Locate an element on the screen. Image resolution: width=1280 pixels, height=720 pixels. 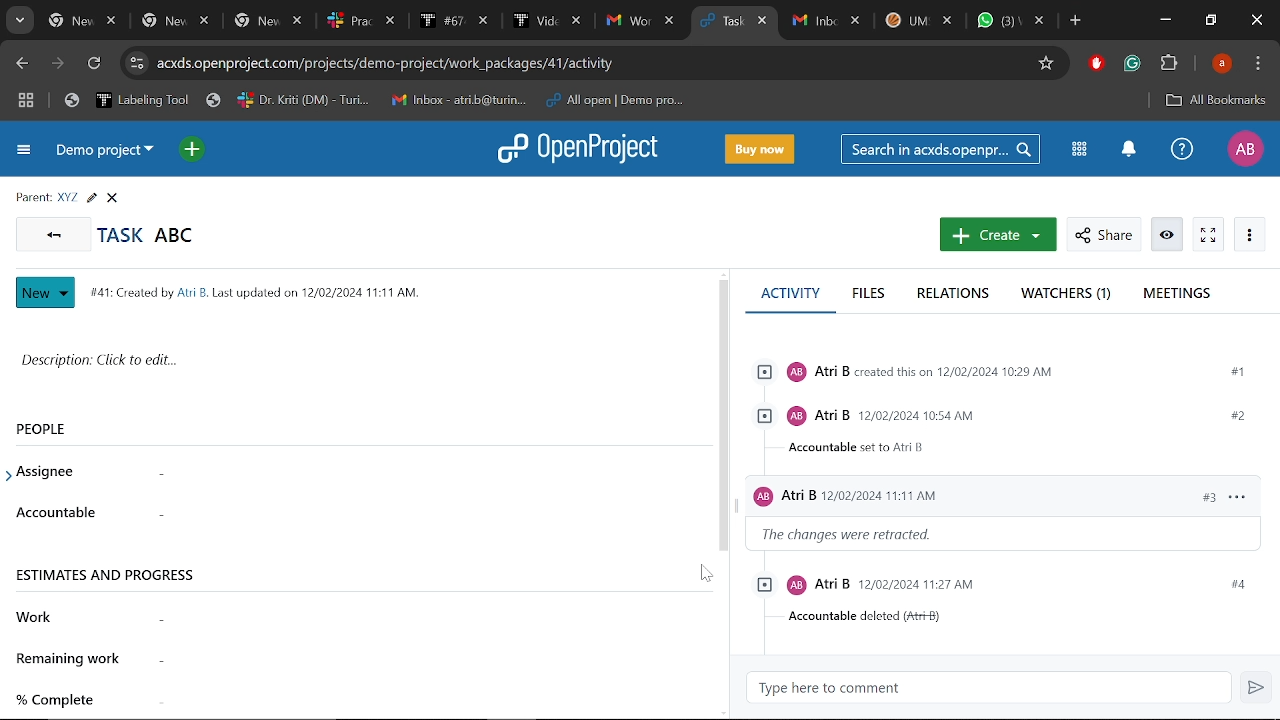
 is located at coordinates (63, 702).